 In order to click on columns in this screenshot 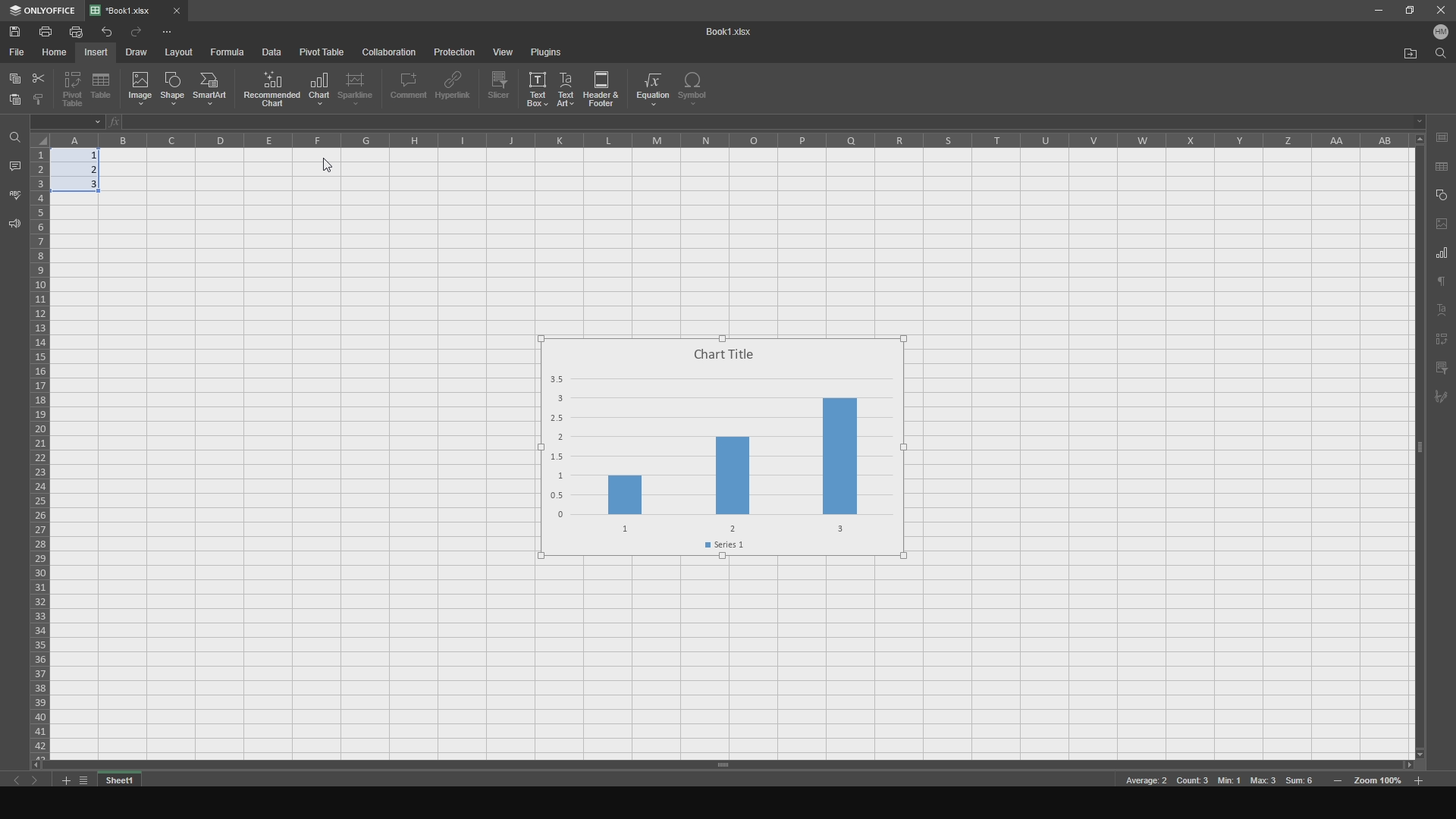, I will do `click(733, 140)`.